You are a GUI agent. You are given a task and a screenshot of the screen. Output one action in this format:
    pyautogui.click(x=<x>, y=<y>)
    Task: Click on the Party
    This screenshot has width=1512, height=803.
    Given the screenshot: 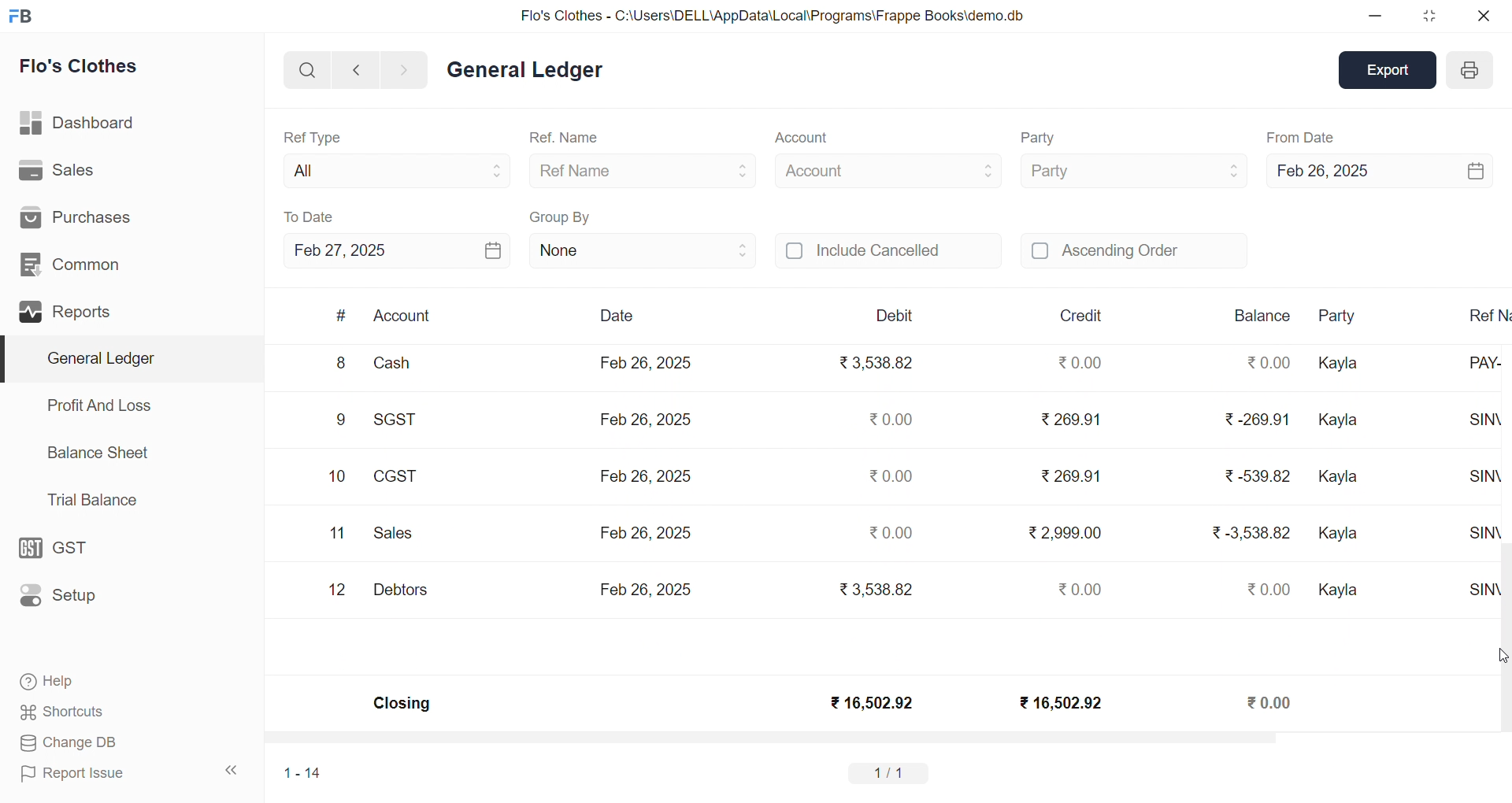 What is the action you would take?
    pyautogui.click(x=1132, y=169)
    